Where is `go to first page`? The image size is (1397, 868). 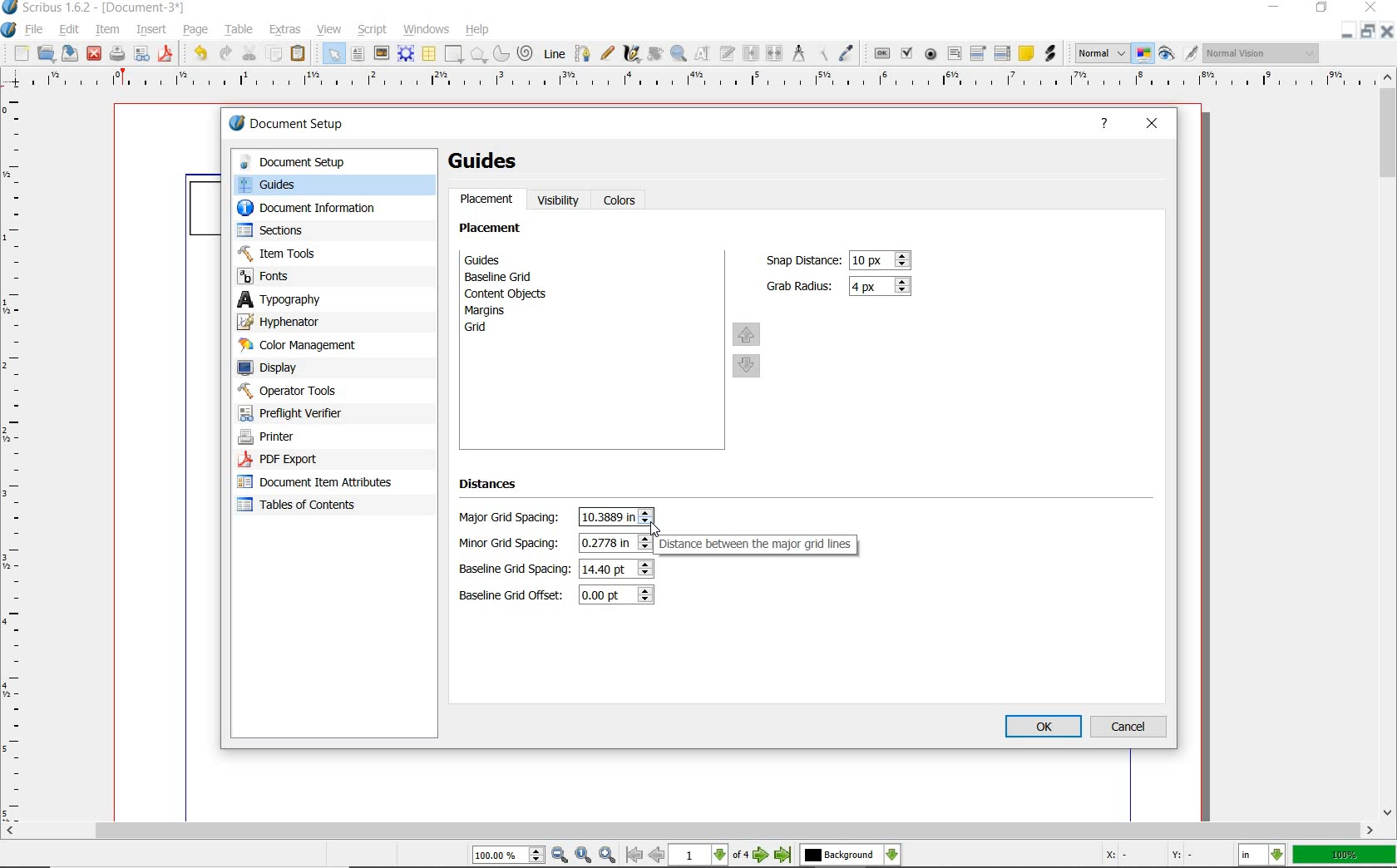 go to first page is located at coordinates (634, 856).